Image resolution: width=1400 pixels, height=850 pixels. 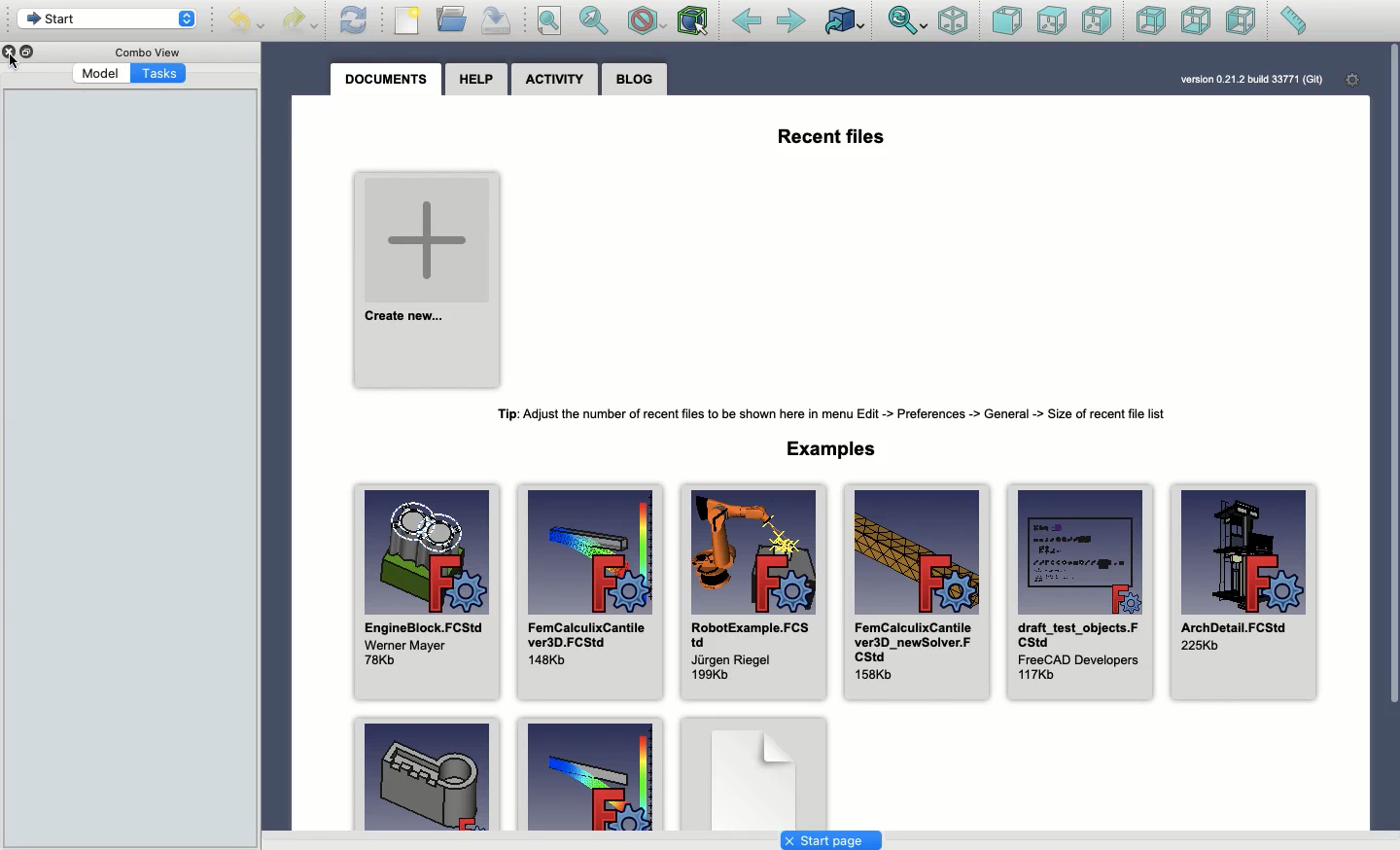 I want to click on Close, so click(x=9, y=52).